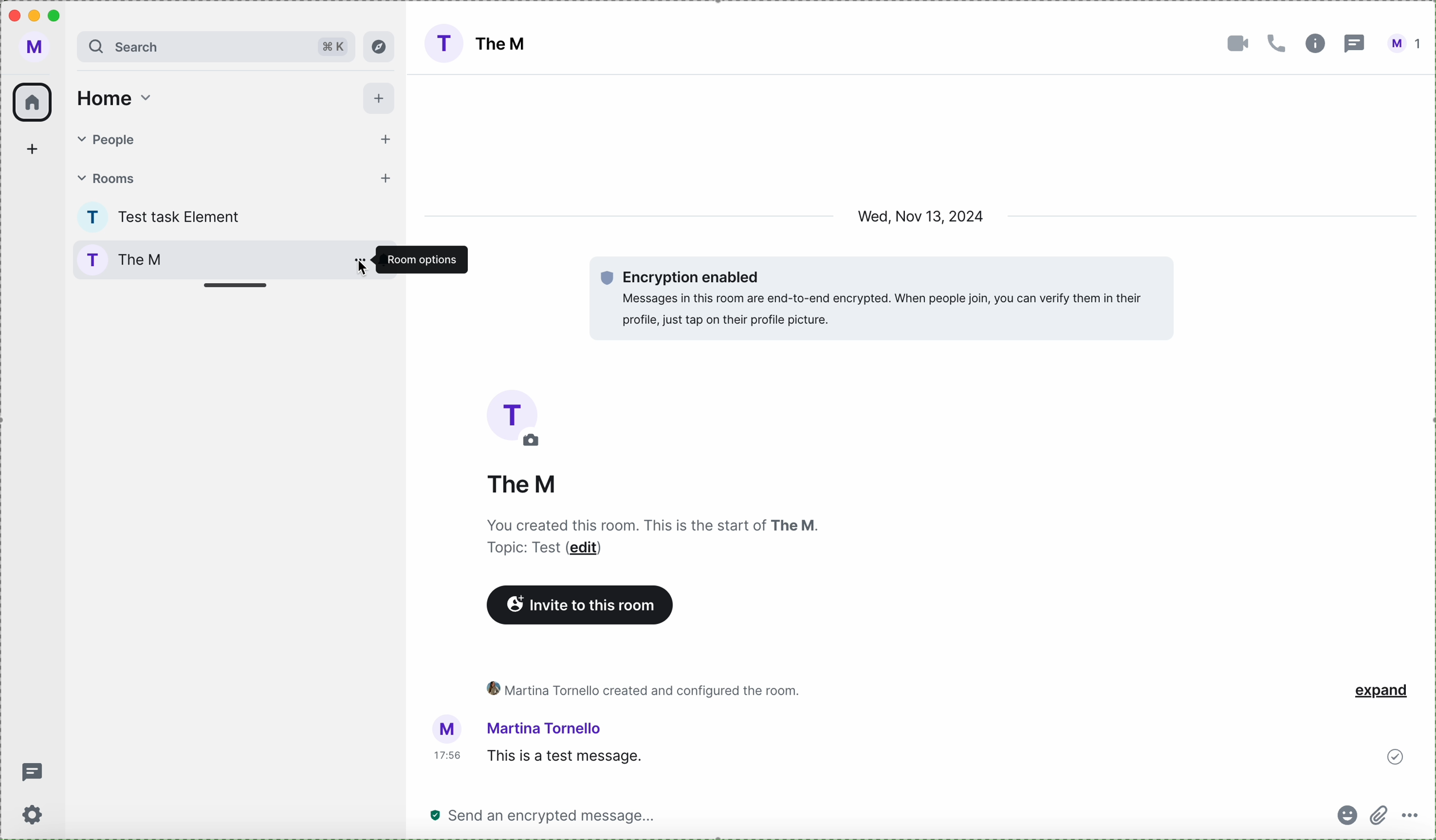  Describe the element at coordinates (447, 43) in the screenshot. I see `profile` at that location.